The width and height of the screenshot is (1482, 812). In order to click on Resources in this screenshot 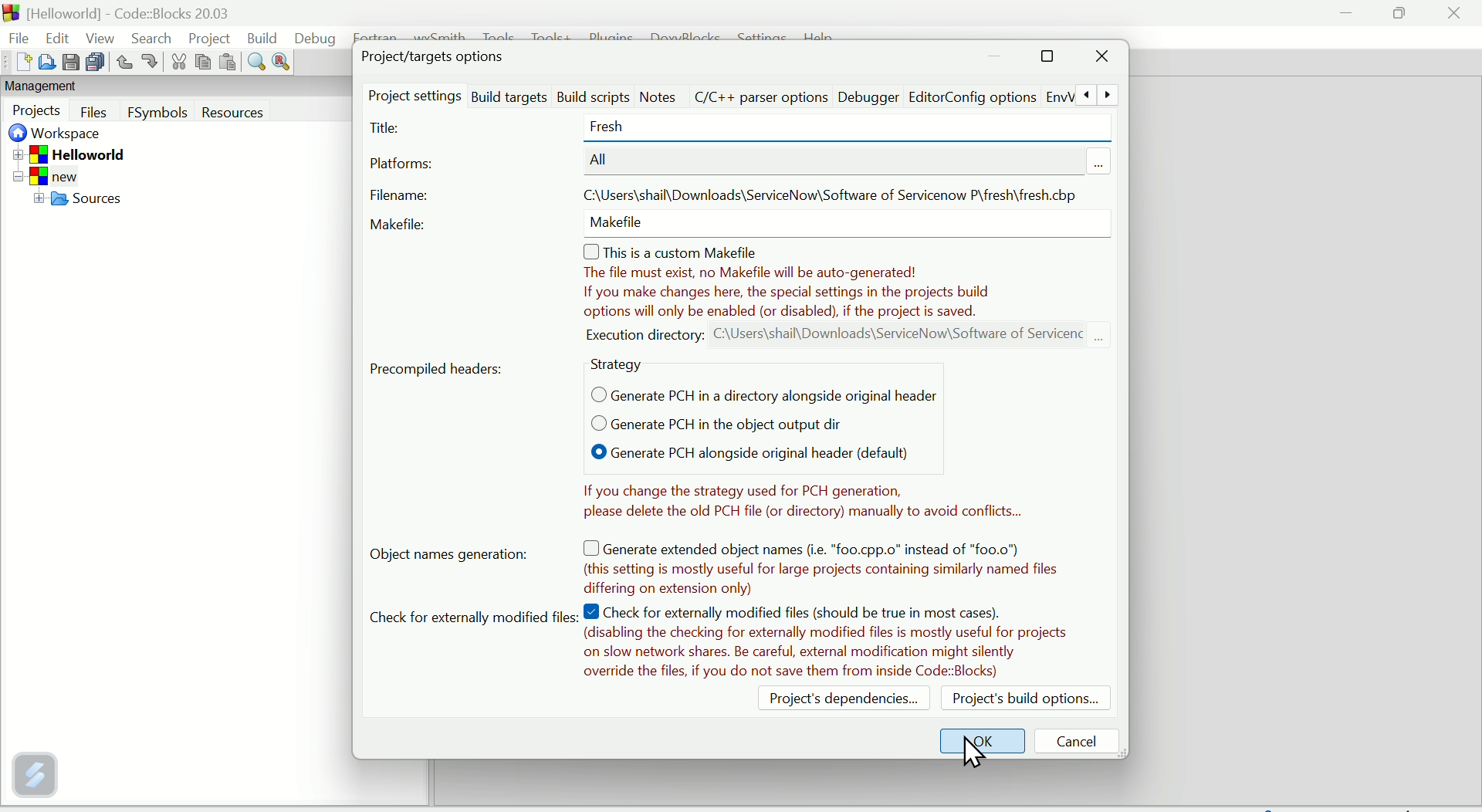, I will do `click(259, 113)`.